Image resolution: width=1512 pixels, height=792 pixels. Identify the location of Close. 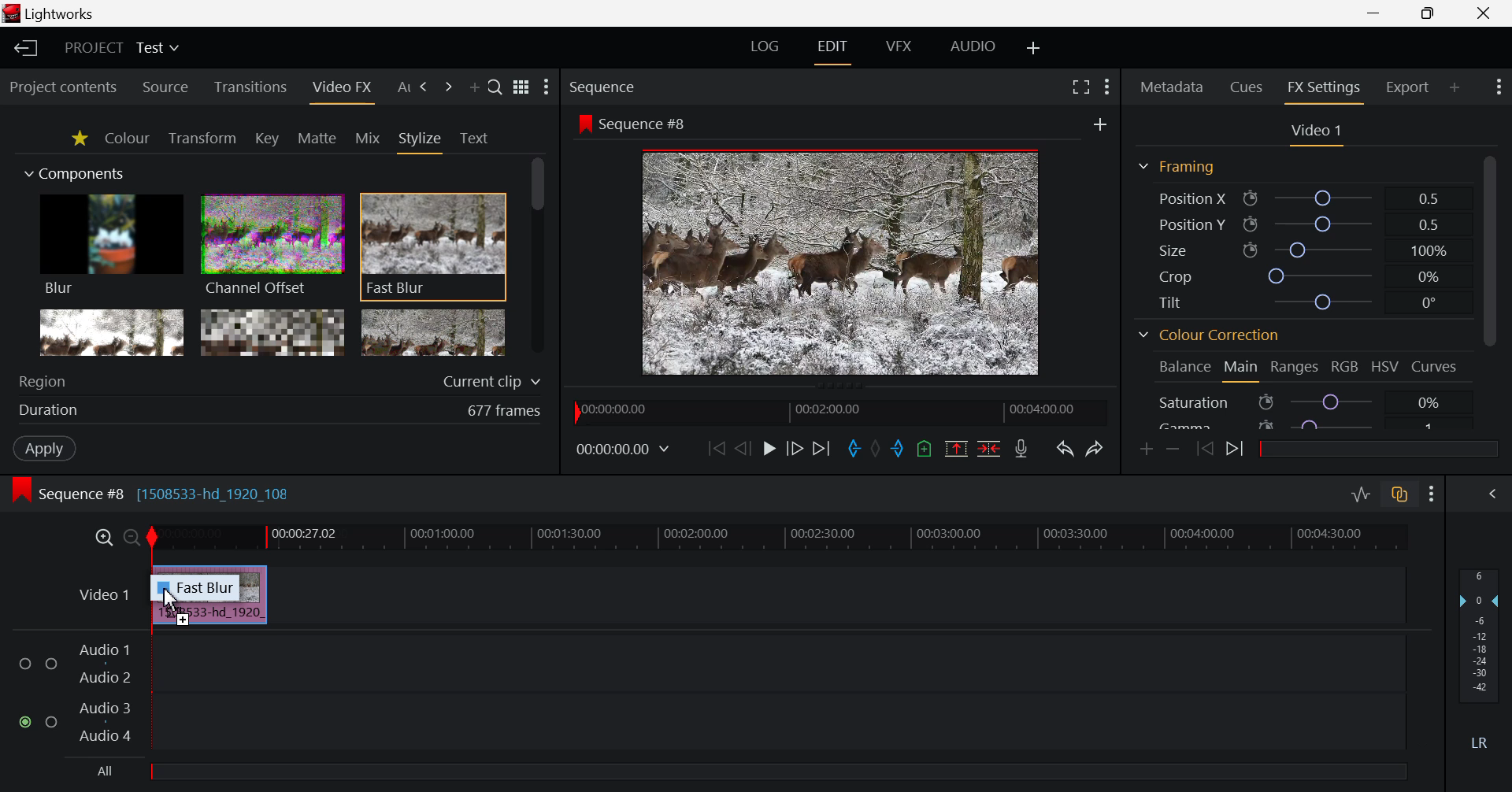
(1483, 13).